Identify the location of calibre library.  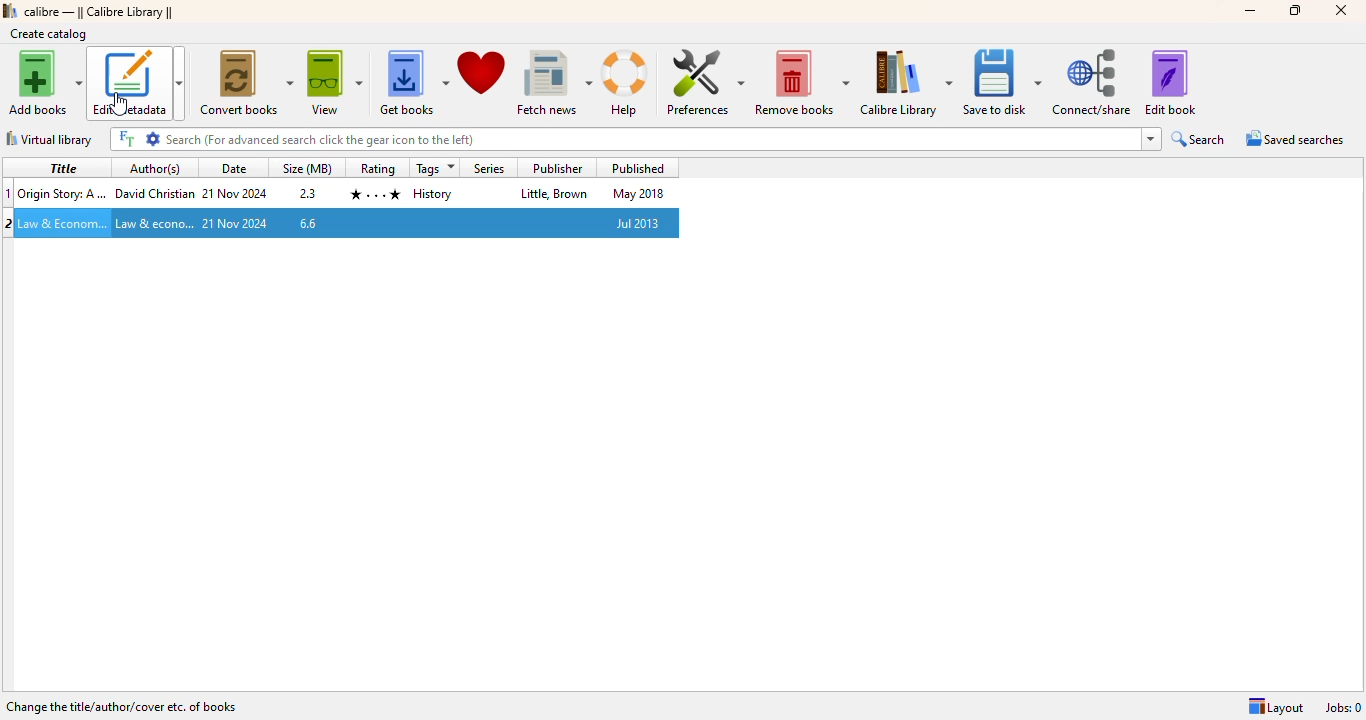
(906, 81).